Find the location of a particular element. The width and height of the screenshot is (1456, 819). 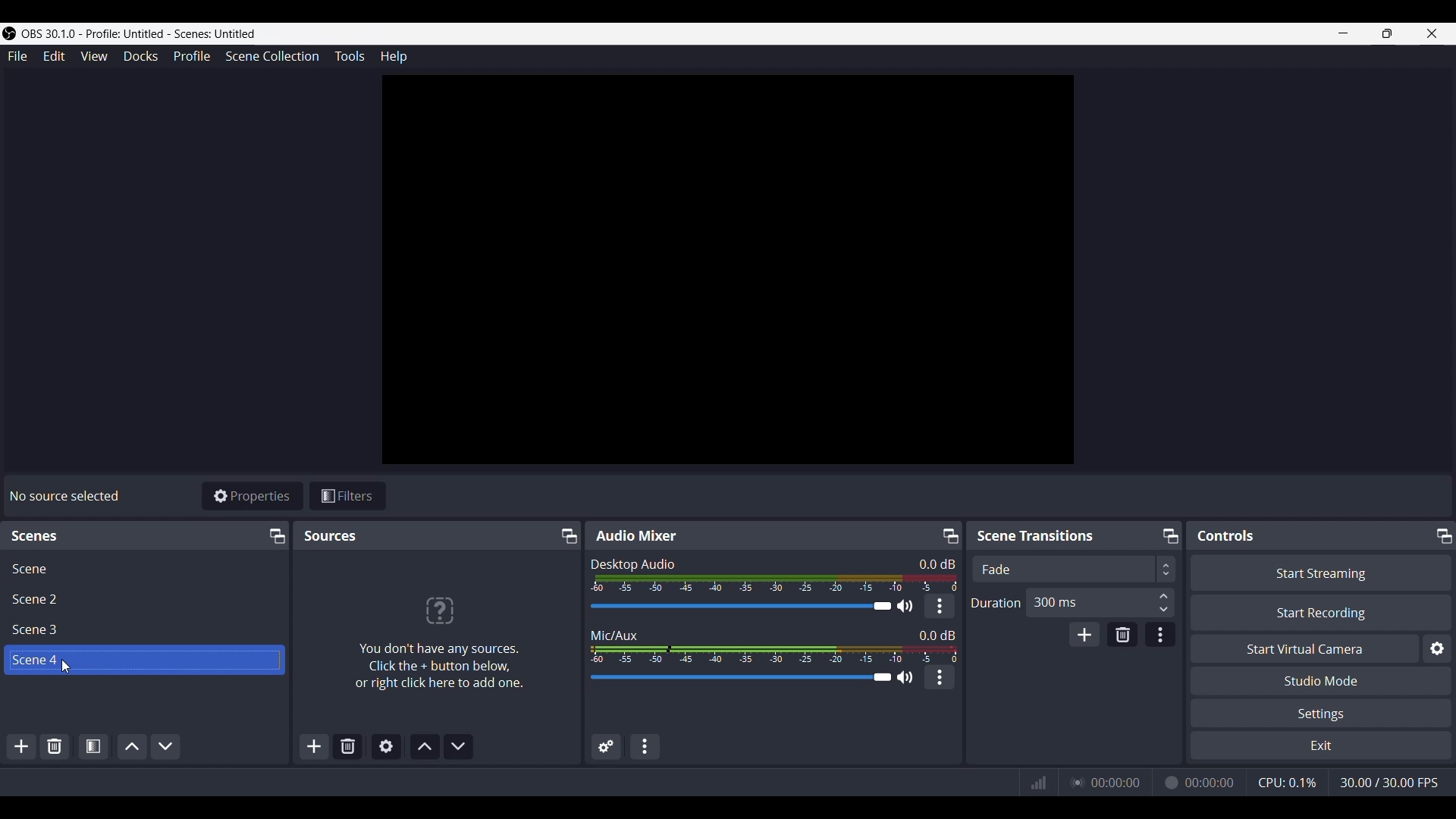

Streaming is located at coordinates (1074, 784).